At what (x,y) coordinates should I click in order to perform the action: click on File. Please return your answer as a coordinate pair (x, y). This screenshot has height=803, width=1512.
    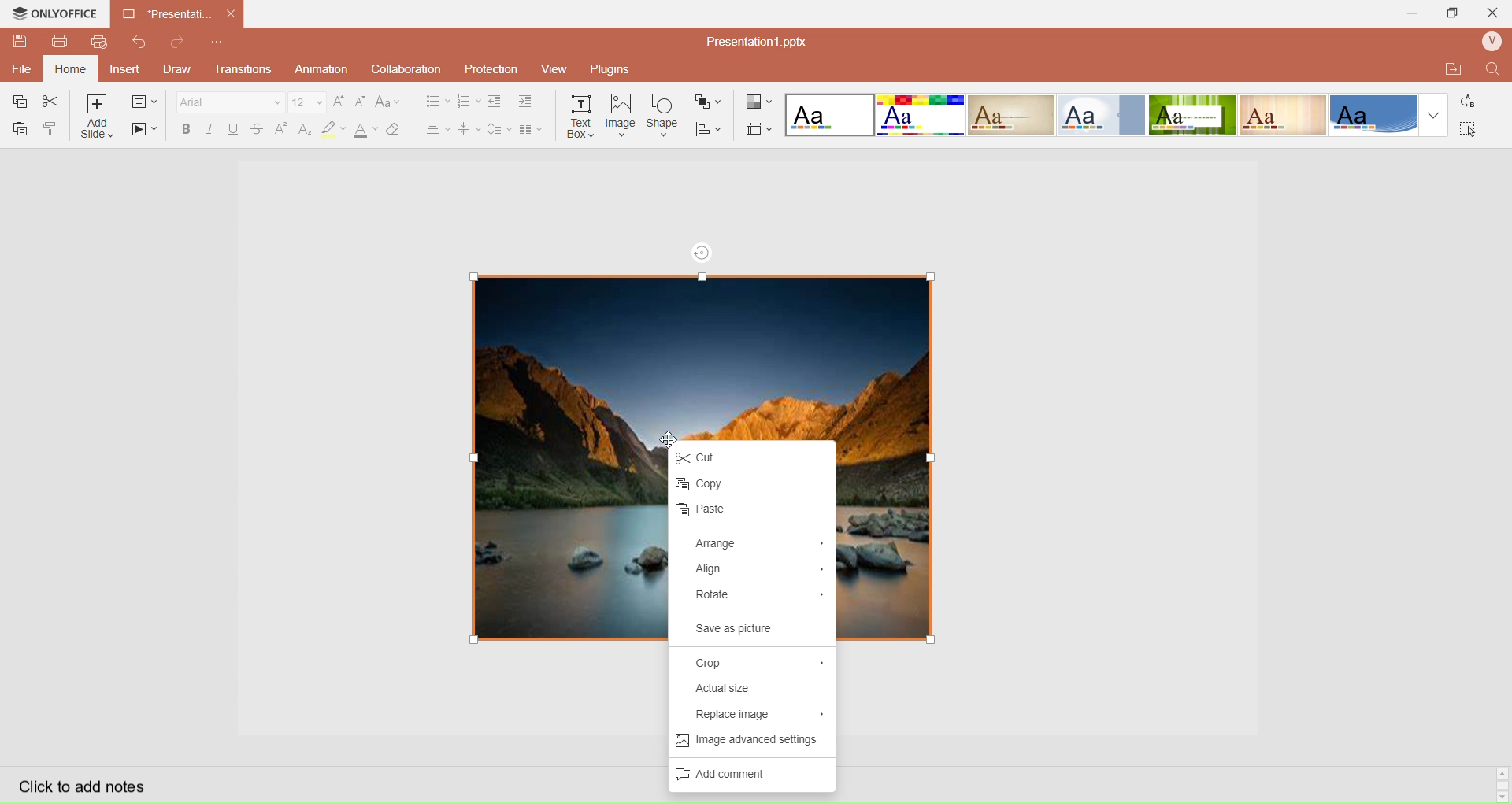
    Looking at the image, I should click on (25, 69).